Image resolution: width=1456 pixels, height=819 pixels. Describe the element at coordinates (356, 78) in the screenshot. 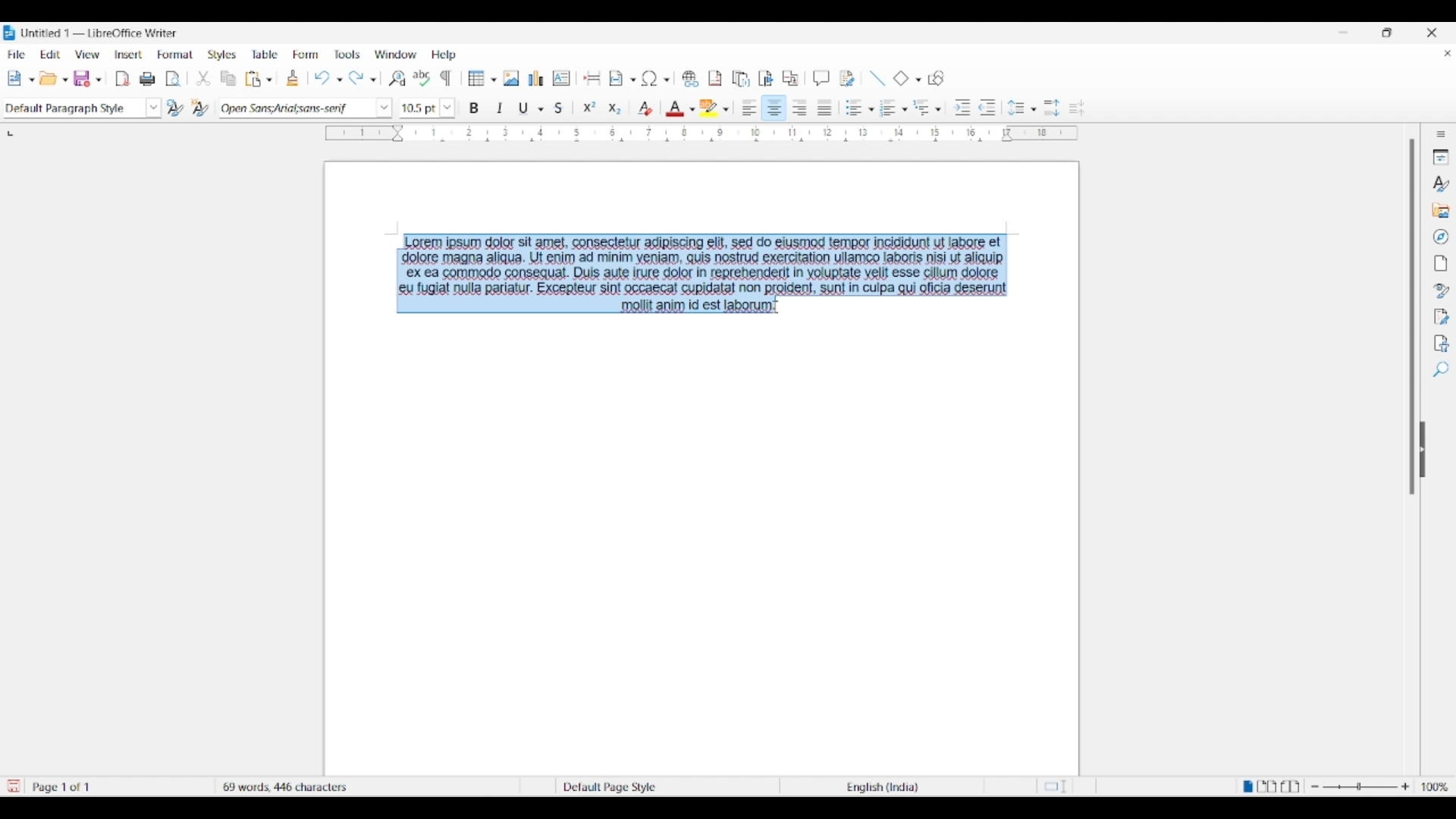

I see `Redo last action` at that location.